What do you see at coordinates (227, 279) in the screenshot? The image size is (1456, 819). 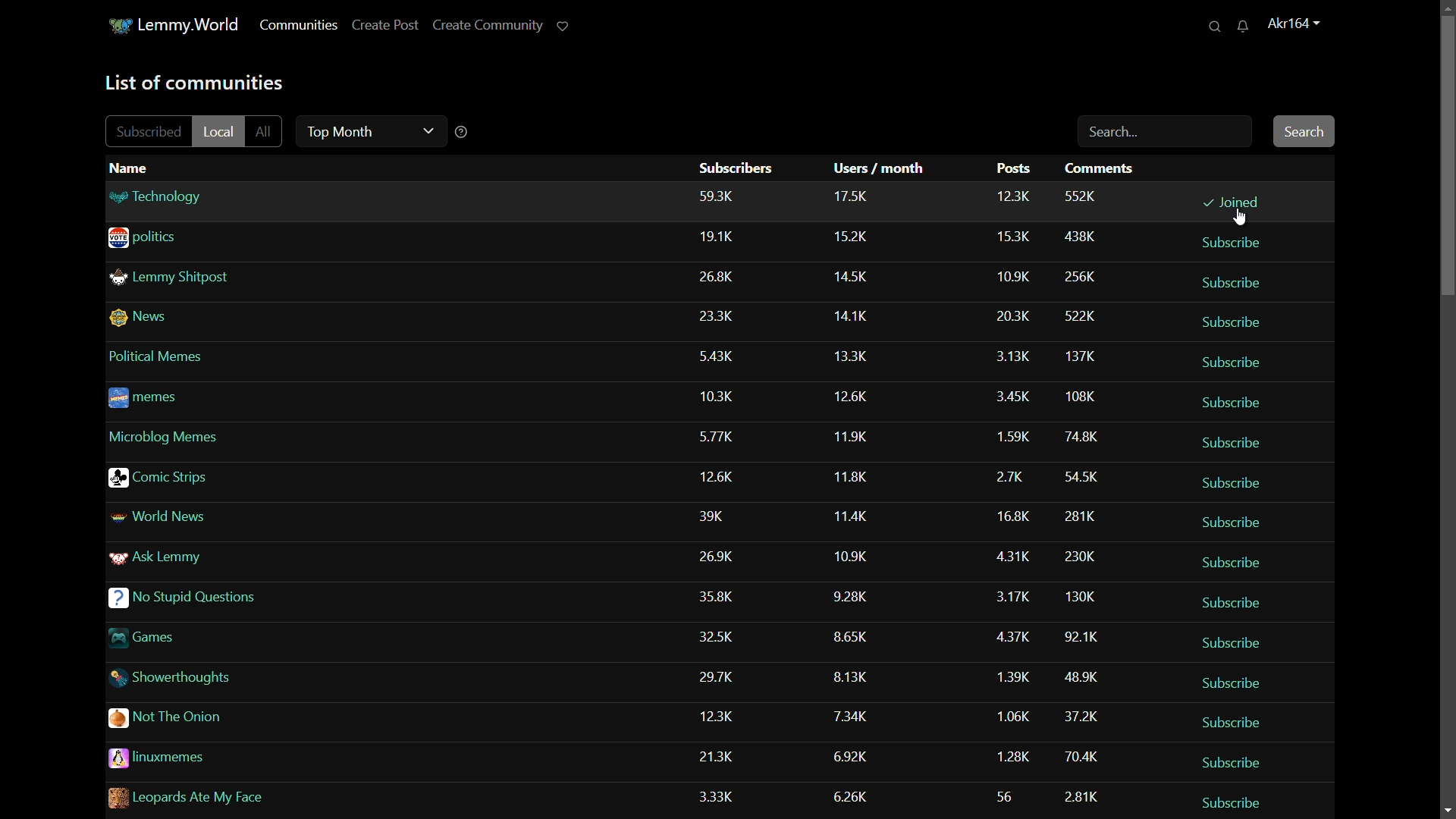 I see `communities name` at bounding box center [227, 279].